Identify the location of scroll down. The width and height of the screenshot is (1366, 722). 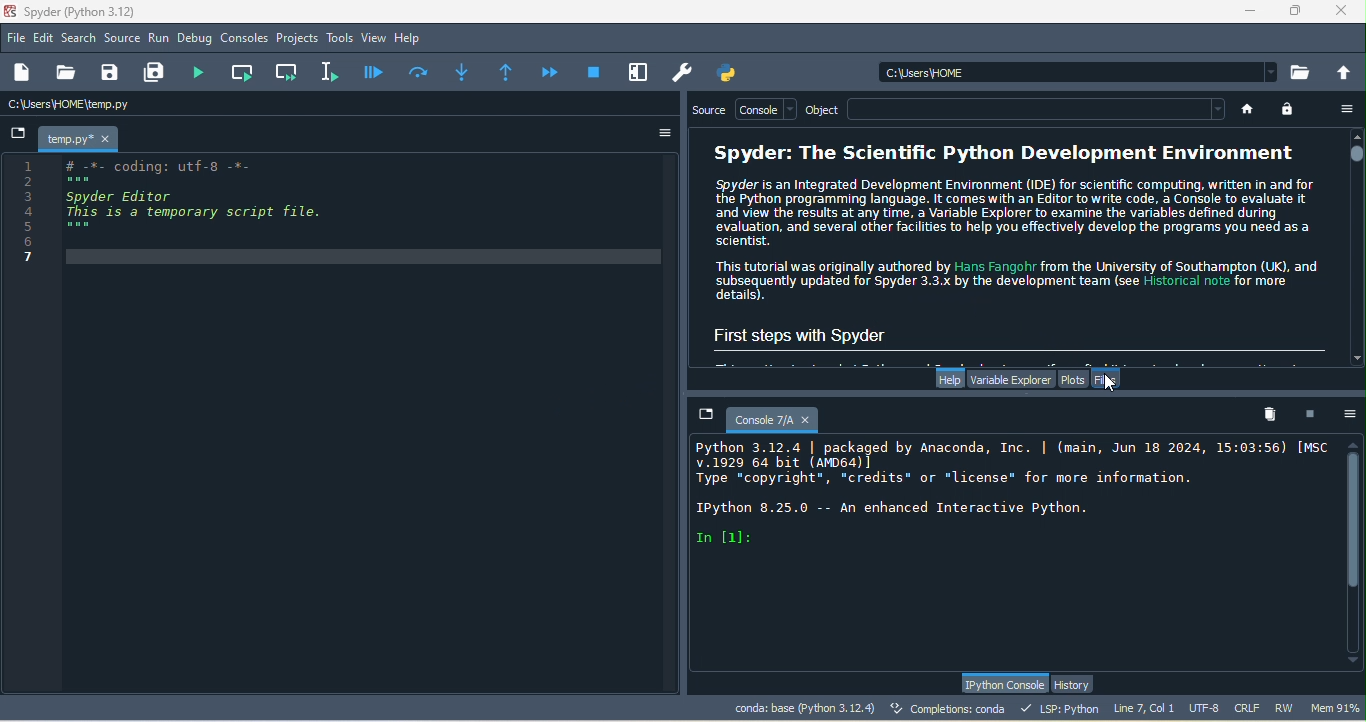
(1355, 358).